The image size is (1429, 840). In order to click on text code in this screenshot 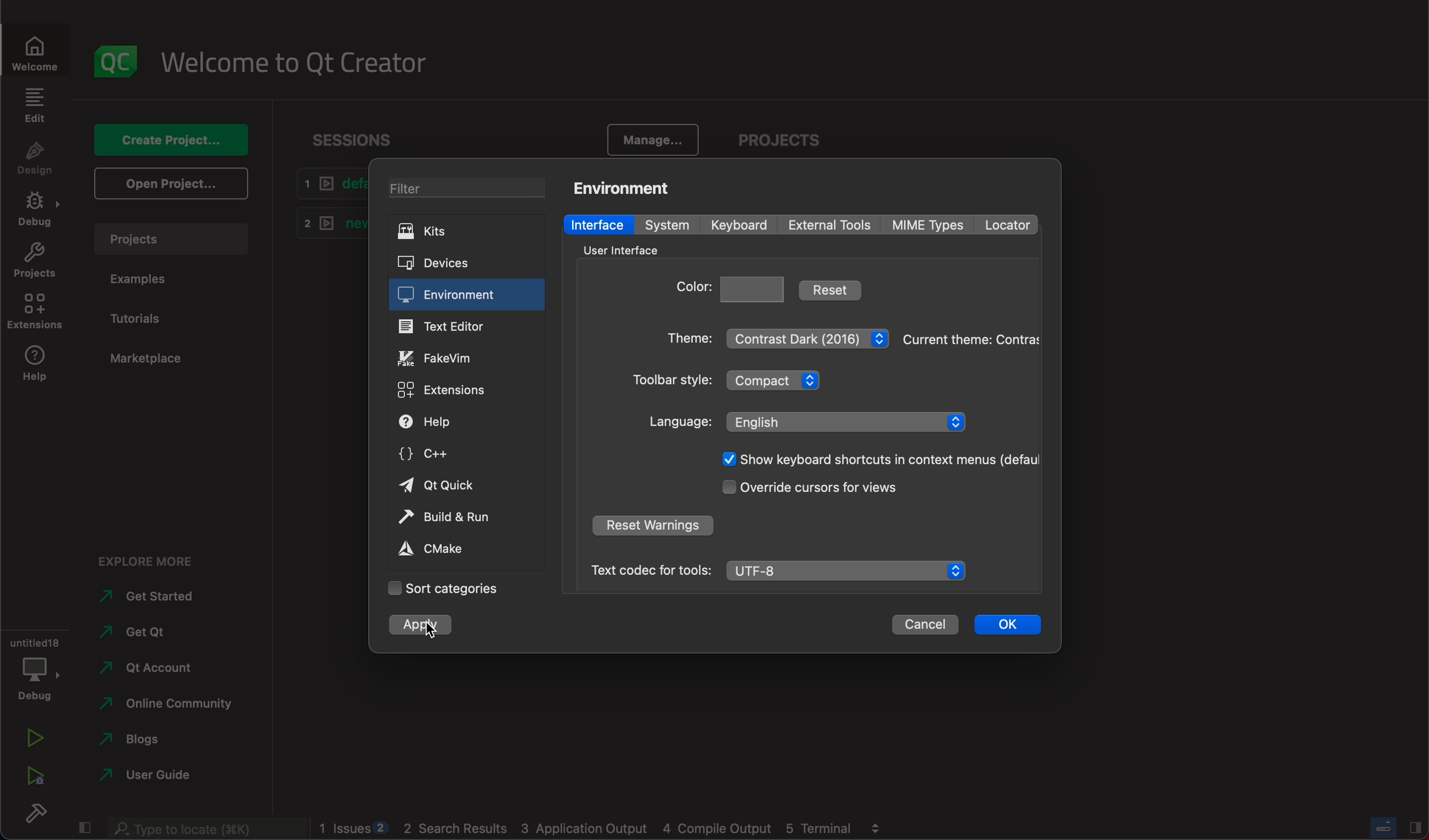, I will do `click(776, 569)`.